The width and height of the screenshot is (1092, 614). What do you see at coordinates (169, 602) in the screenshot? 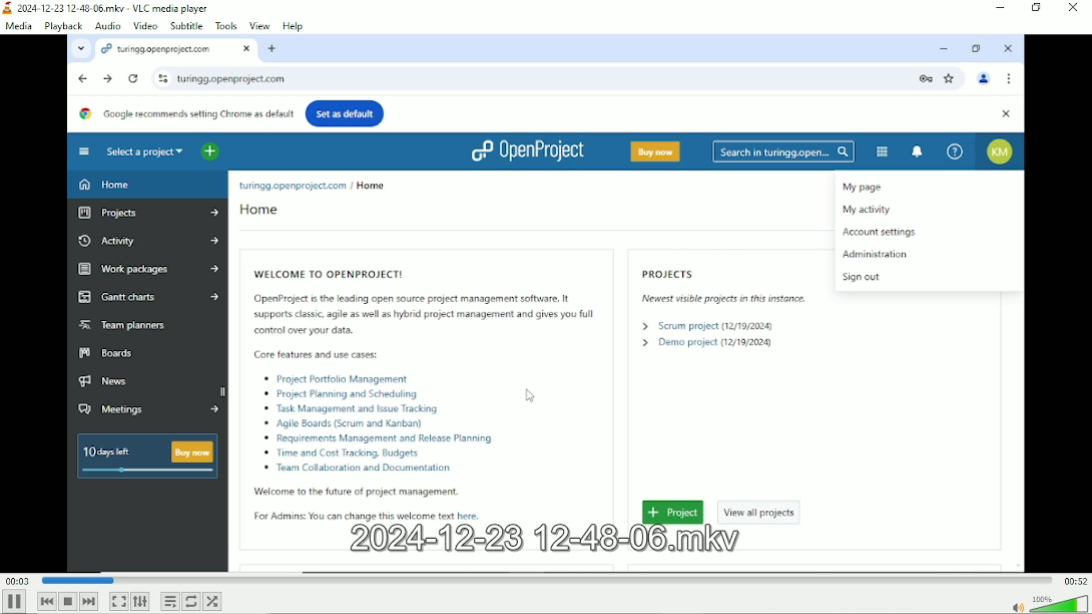
I see `Toggle playlist` at bounding box center [169, 602].